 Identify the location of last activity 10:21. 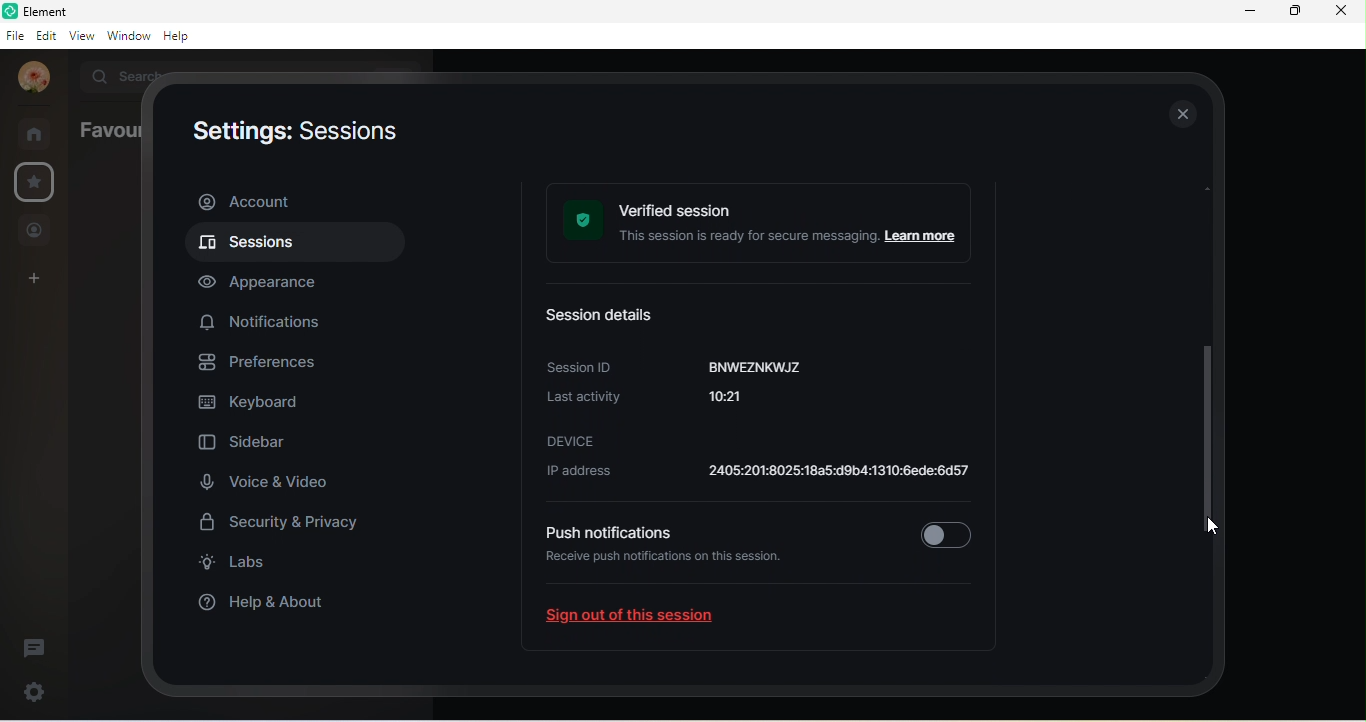
(666, 403).